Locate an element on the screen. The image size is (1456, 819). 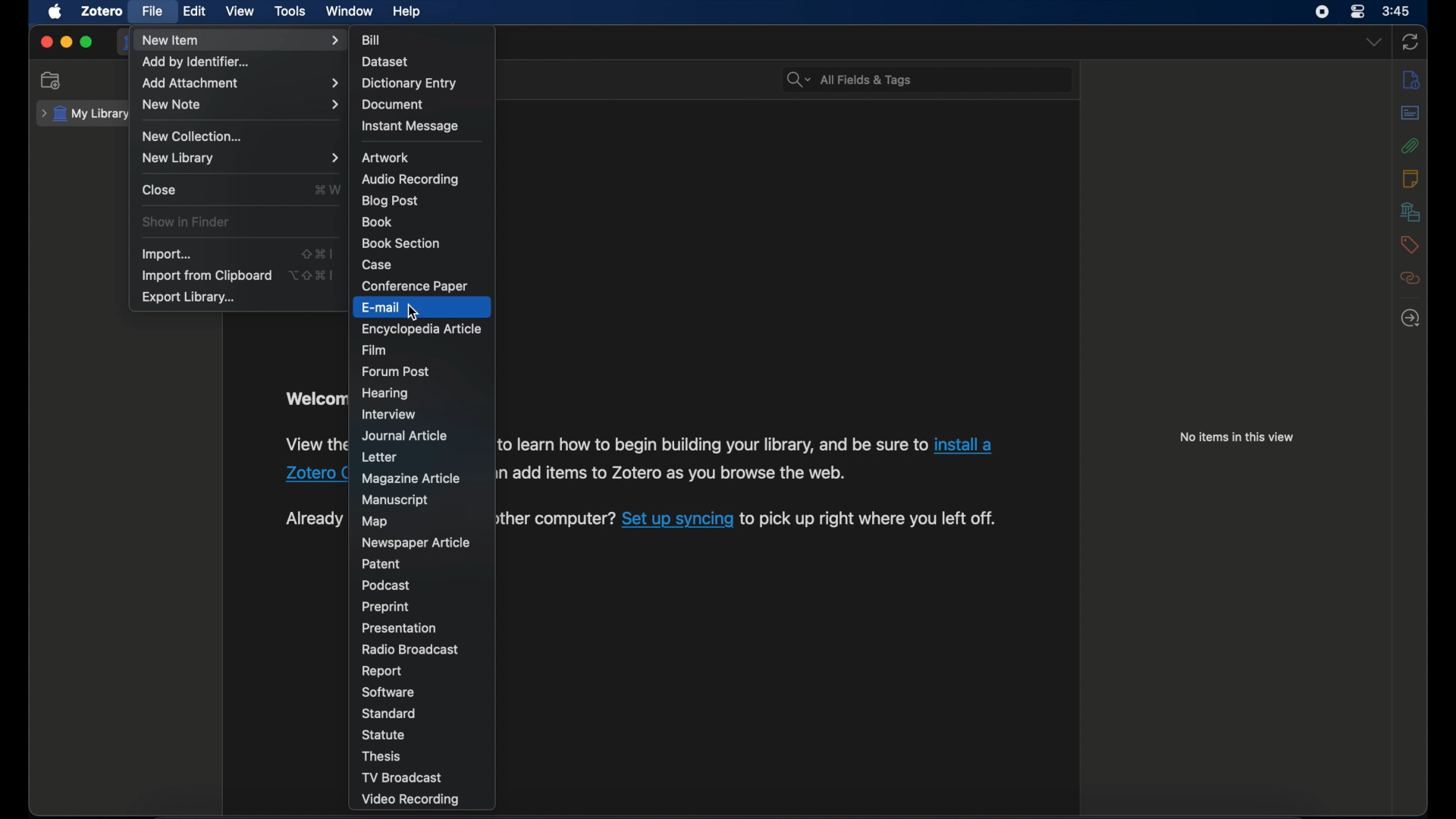
cursor is located at coordinates (415, 312).